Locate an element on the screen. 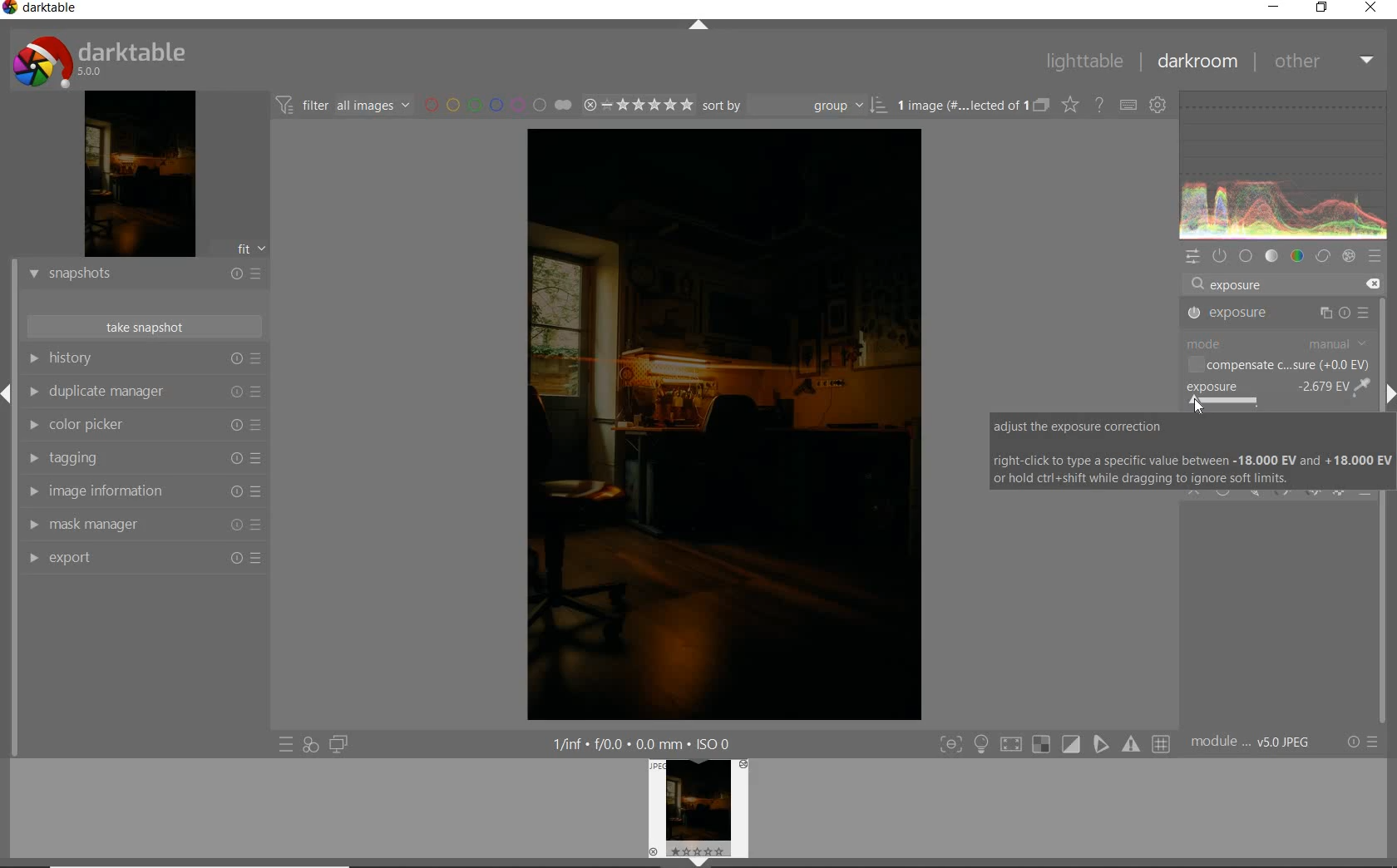 The width and height of the screenshot is (1397, 868). scrollbar is located at coordinates (1387, 510).